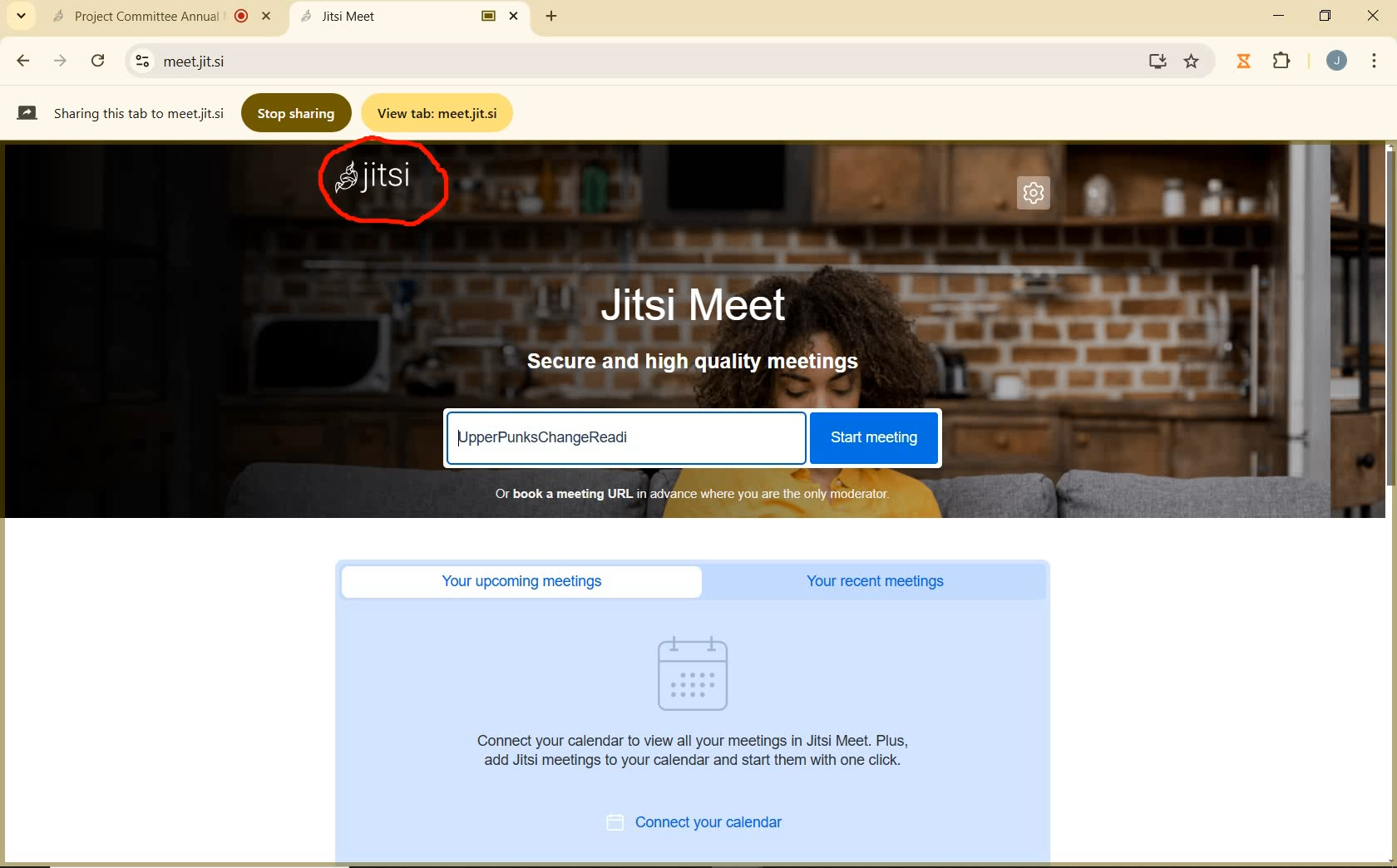 This screenshot has width=1397, height=868. I want to click on Or book a meeting URL in advance where you are the only moderator., so click(690, 493).